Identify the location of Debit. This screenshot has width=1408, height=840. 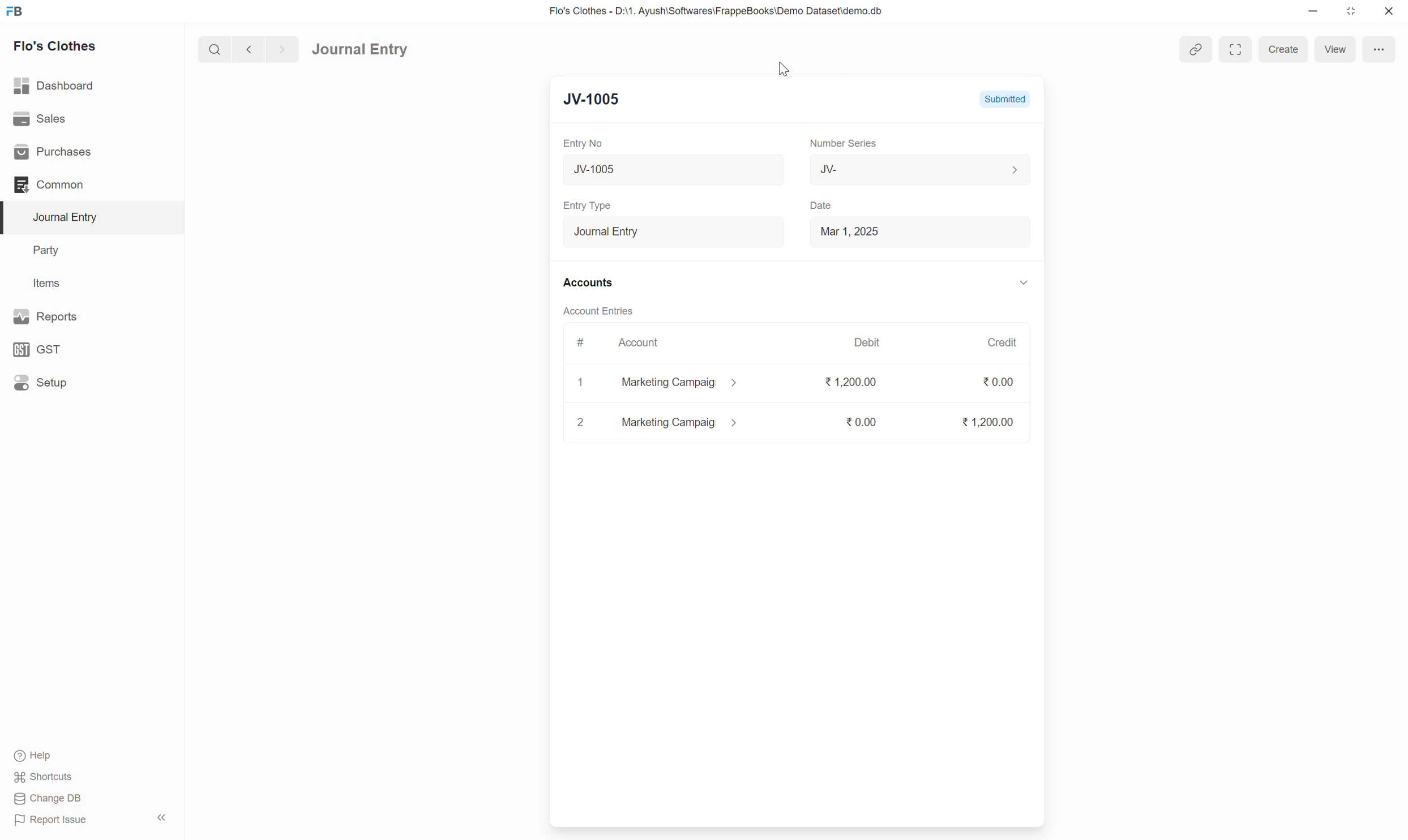
(867, 341).